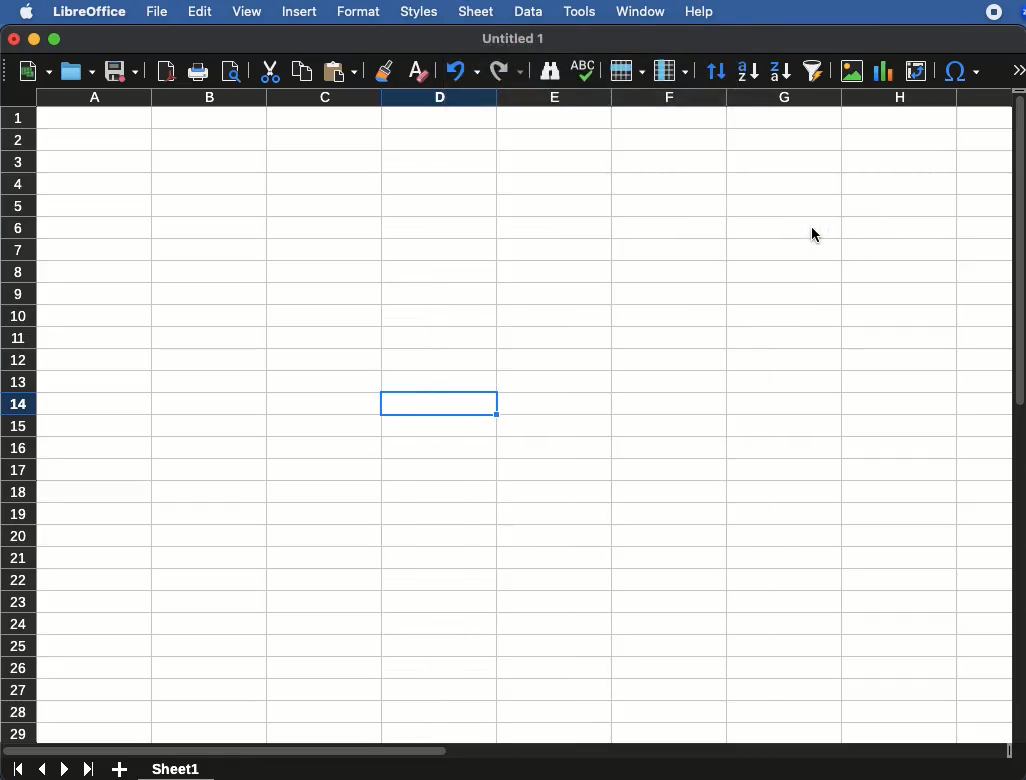 This screenshot has height=780, width=1026. What do you see at coordinates (515, 39) in the screenshot?
I see `untitled 1` at bounding box center [515, 39].